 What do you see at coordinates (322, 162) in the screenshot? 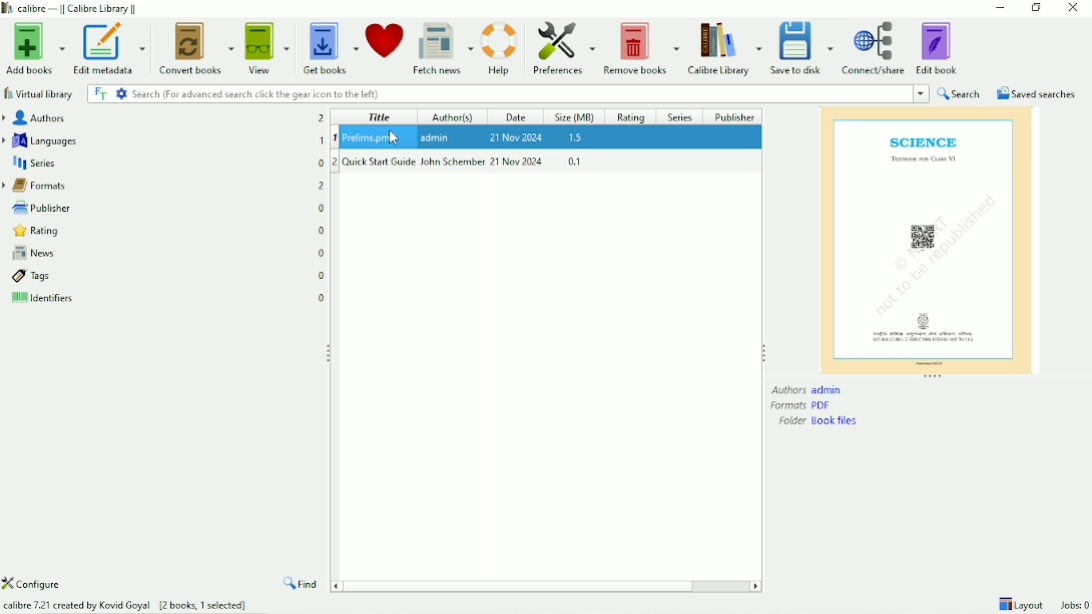
I see `0` at bounding box center [322, 162].